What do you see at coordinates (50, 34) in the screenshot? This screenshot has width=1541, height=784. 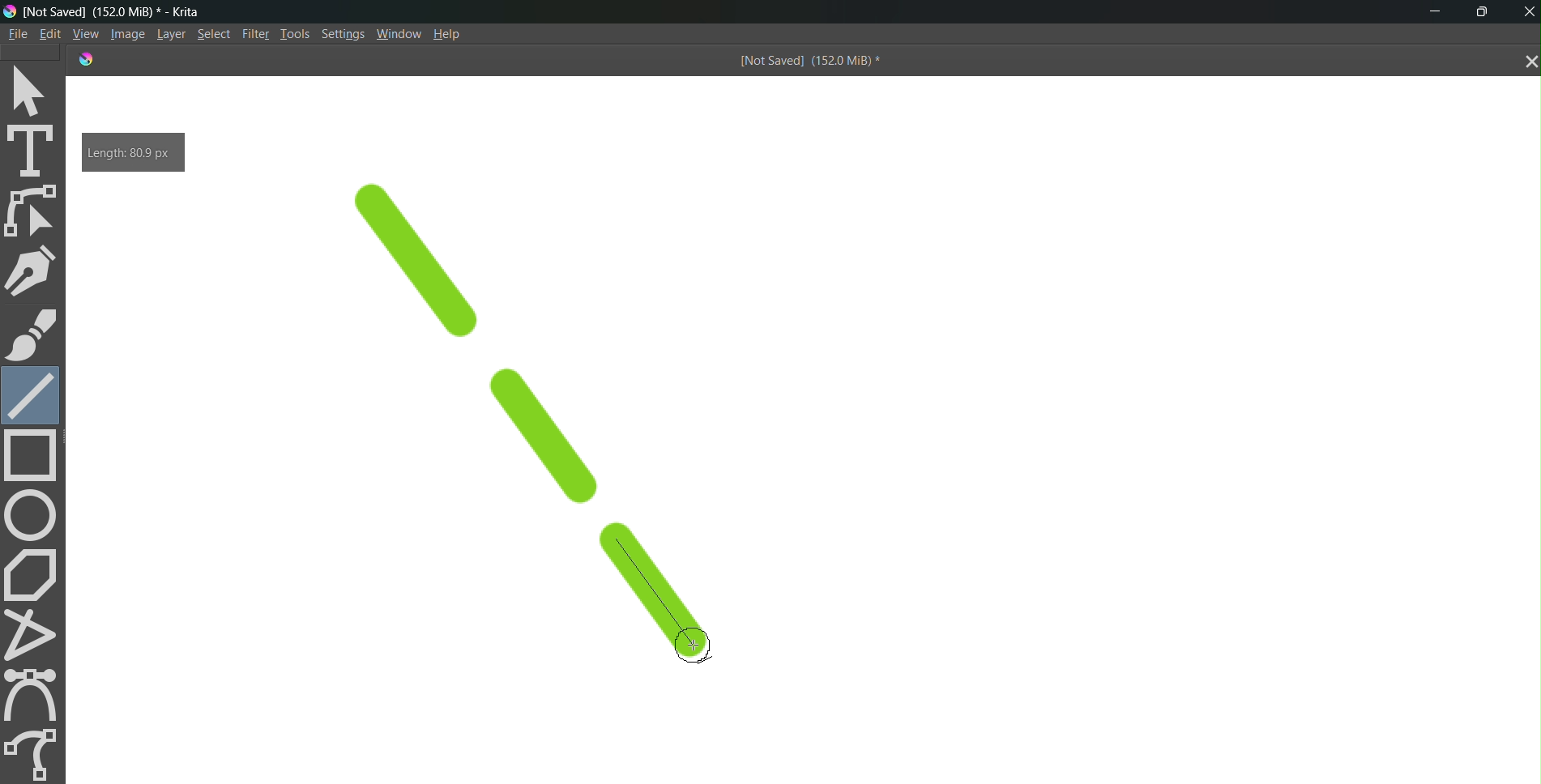 I see `Edit` at bounding box center [50, 34].